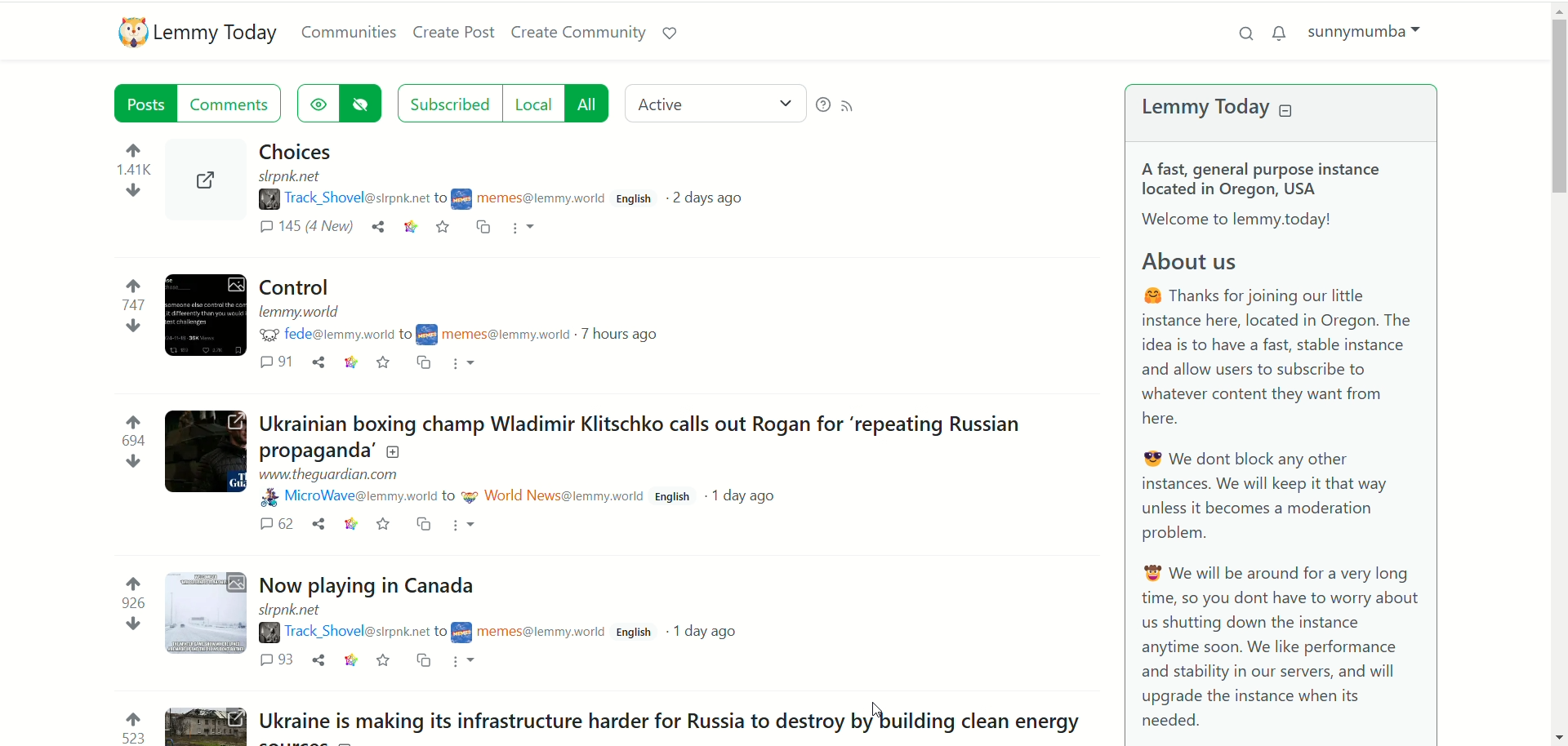  I want to click on save, so click(382, 525).